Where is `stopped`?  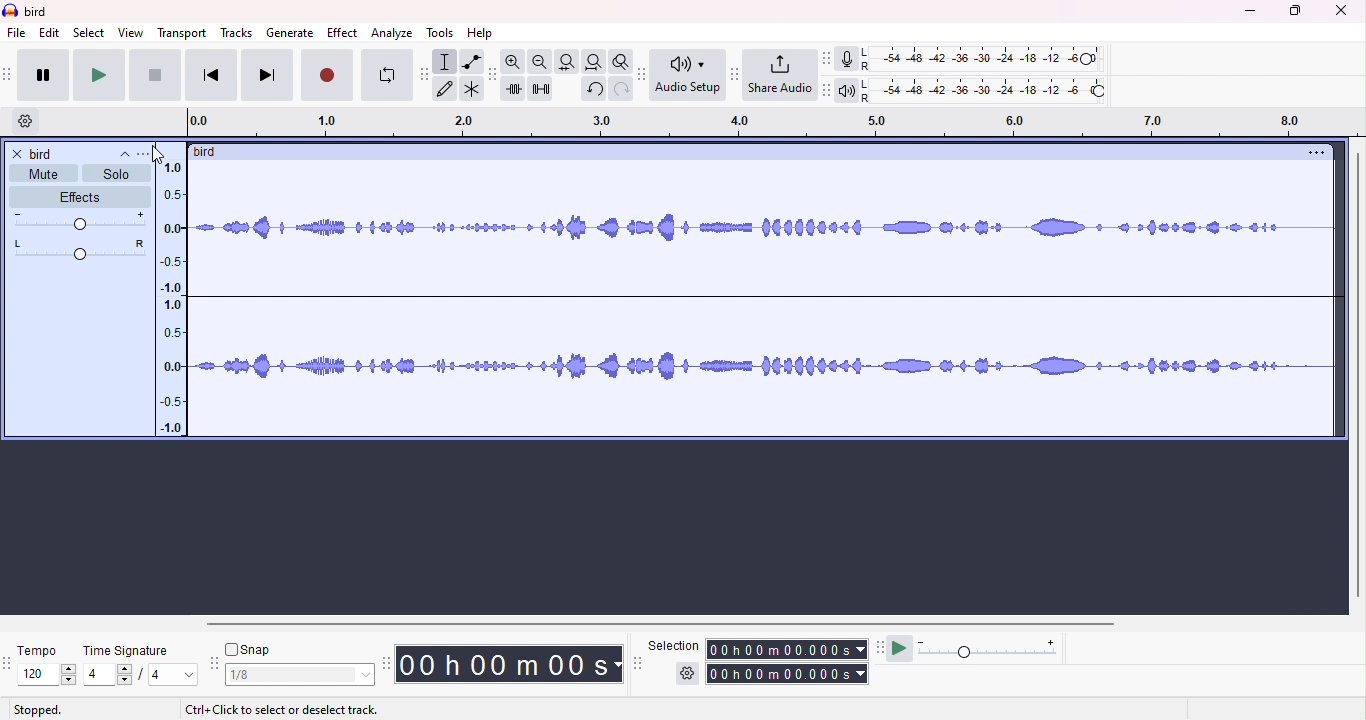
stopped is located at coordinates (38, 710).